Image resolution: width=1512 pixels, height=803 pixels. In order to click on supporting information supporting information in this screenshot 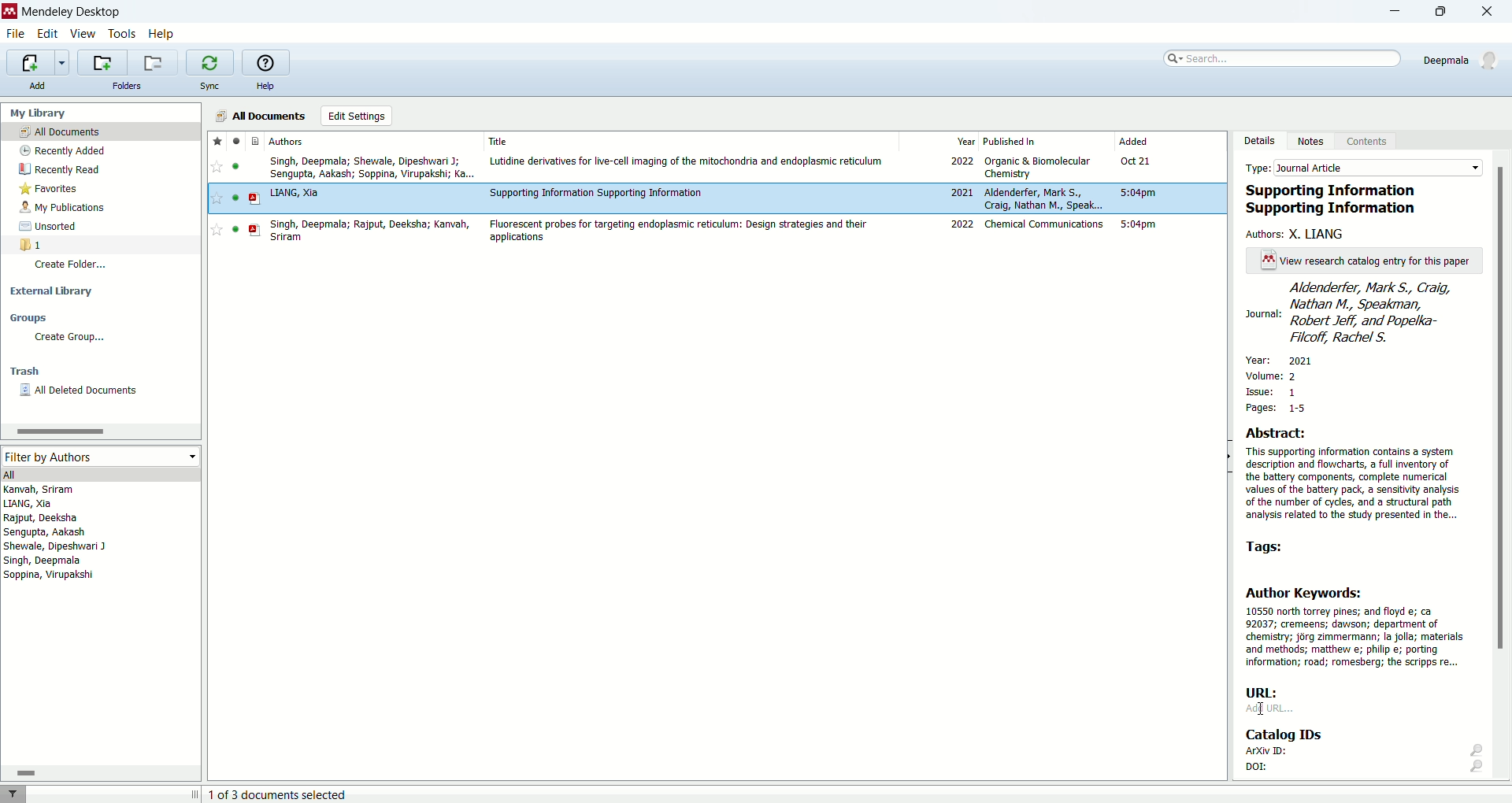, I will do `click(1338, 200)`.